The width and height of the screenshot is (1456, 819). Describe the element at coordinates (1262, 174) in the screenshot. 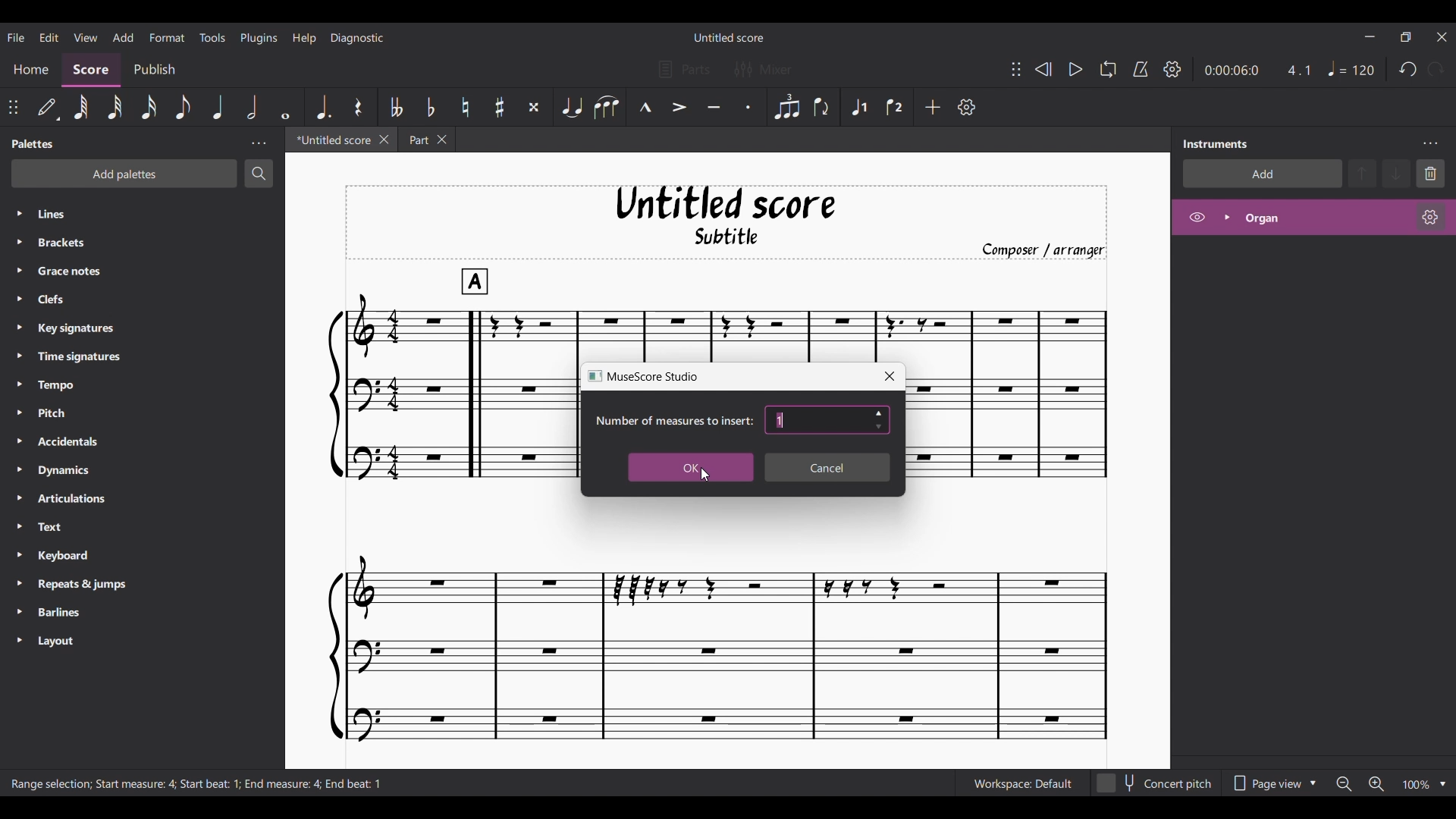

I see `Add instrument` at that location.